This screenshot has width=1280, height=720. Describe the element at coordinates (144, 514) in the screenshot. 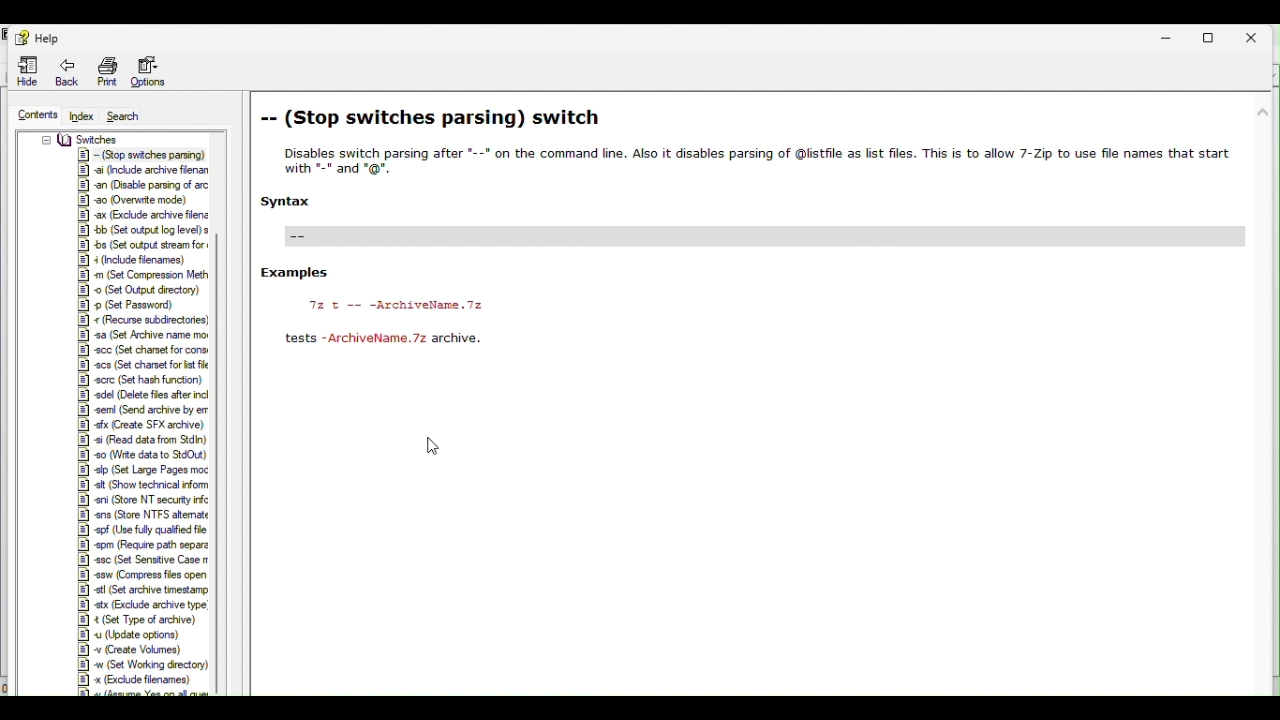

I see `` at that location.